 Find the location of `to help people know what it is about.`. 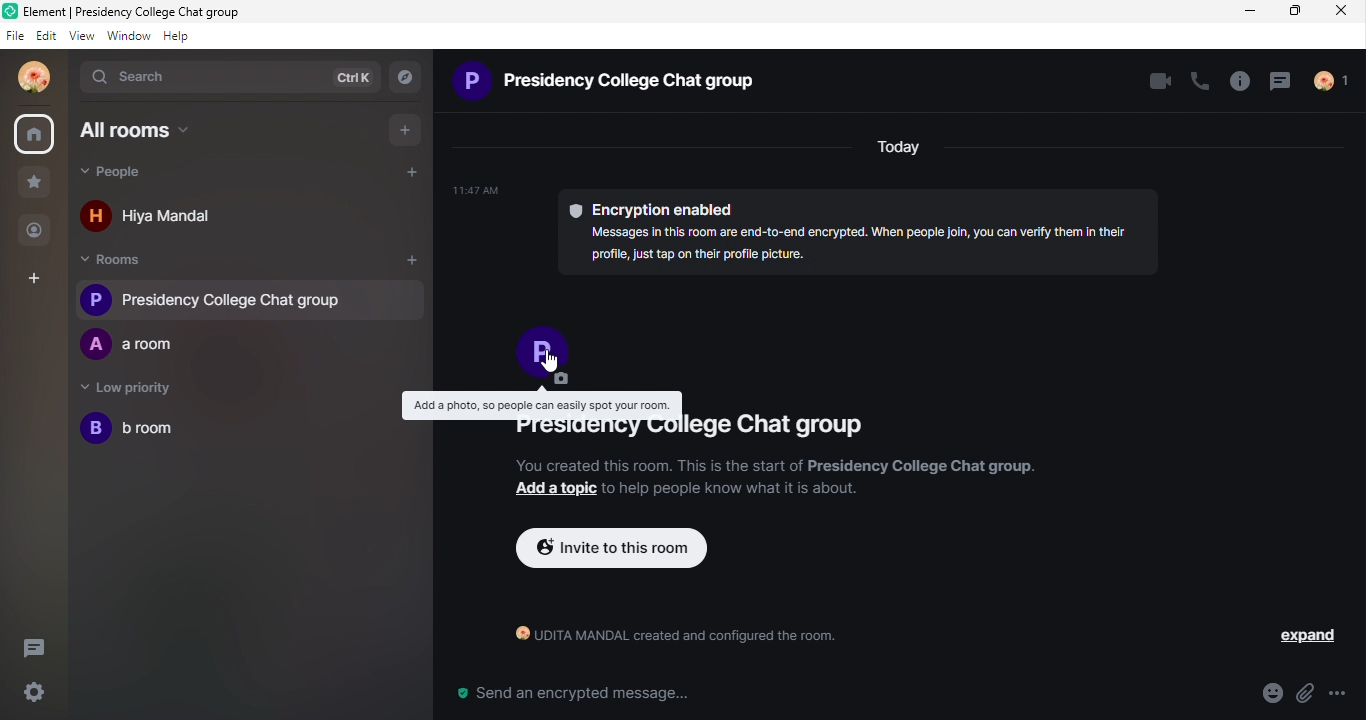

to help people know what it is about. is located at coordinates (733, 488).